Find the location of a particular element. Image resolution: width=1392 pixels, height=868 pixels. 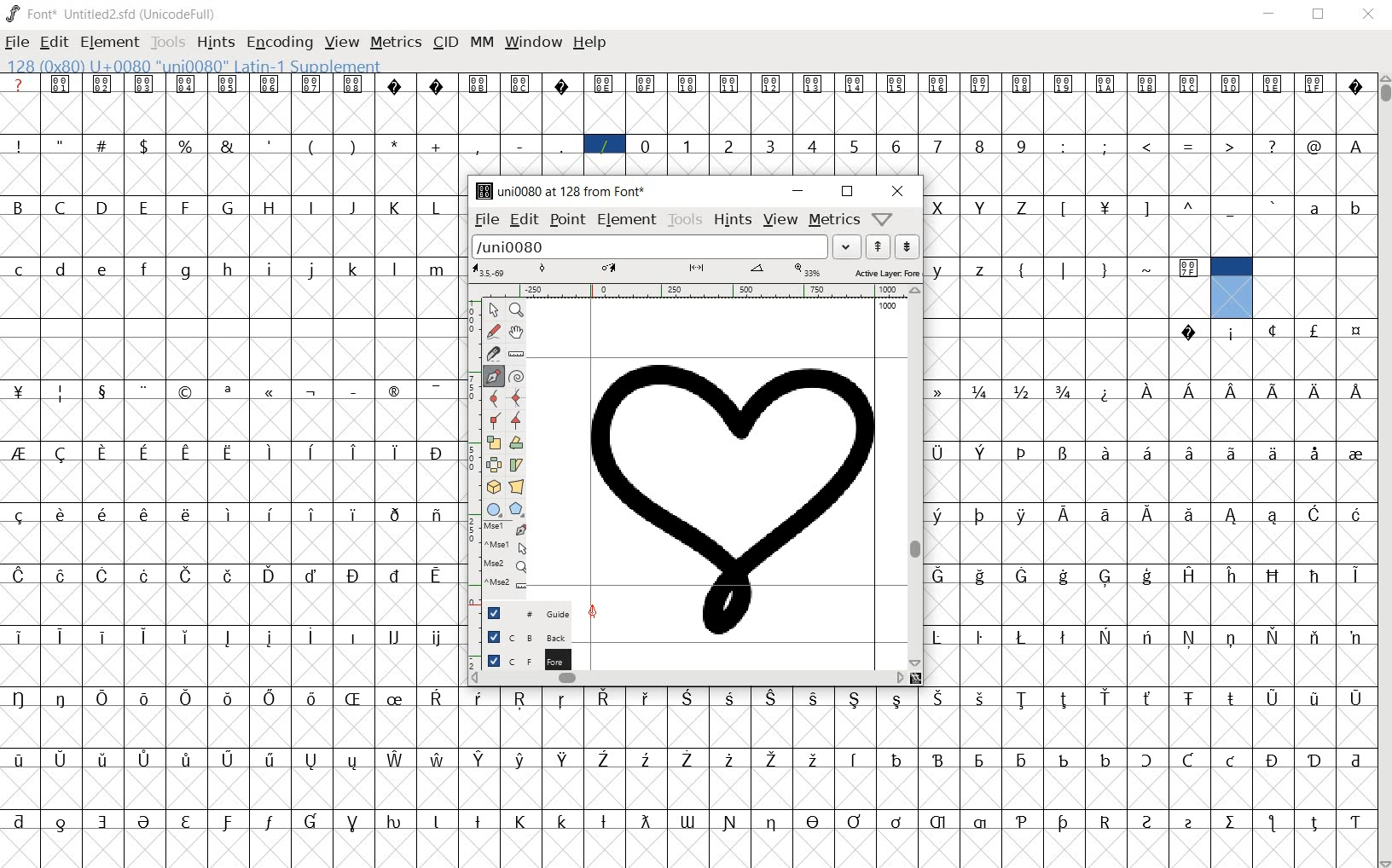

glyph is located at coordinates (896, 822).